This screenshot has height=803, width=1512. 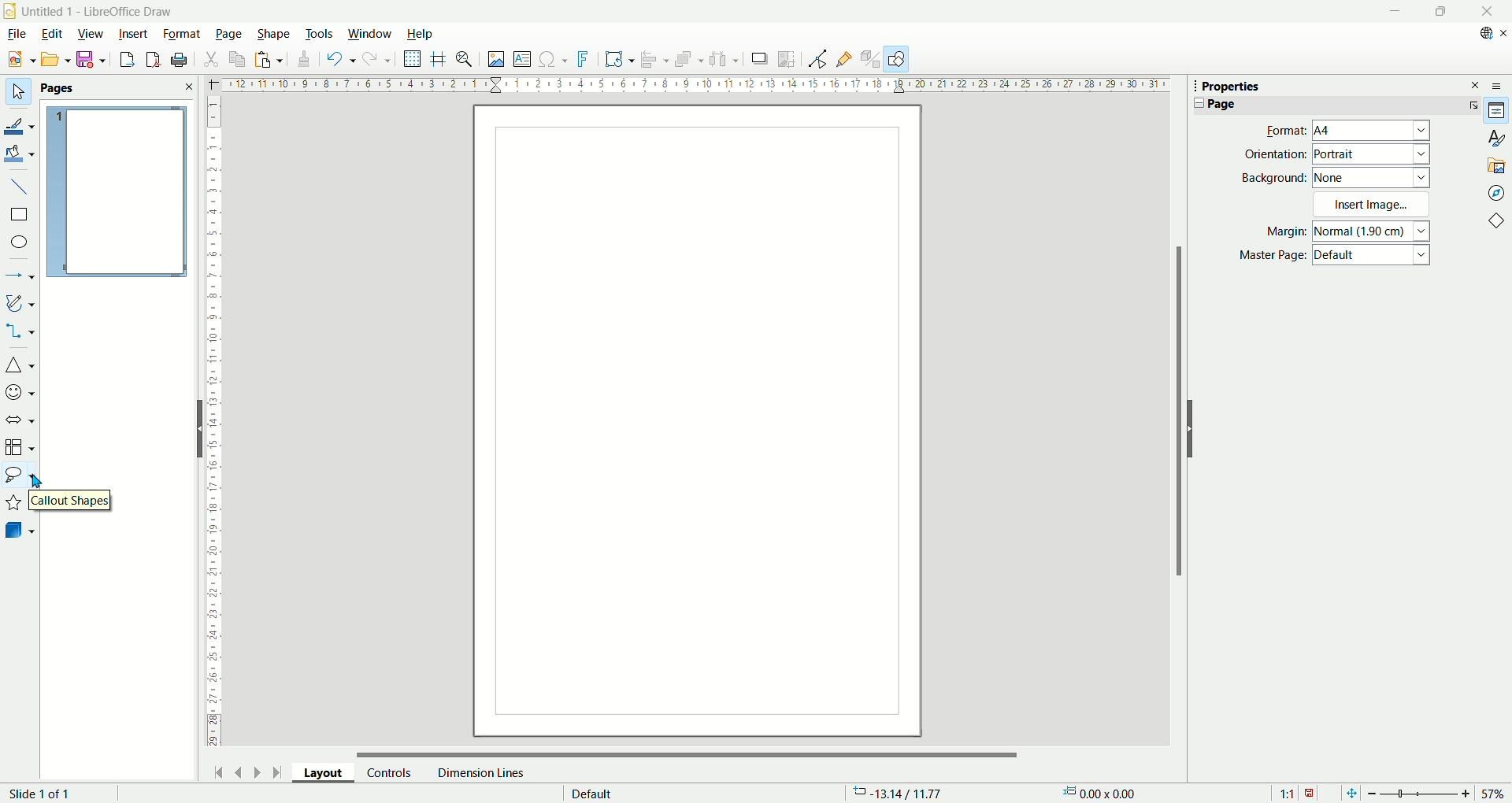 What do you see at coordinates (378, 62) in the screenshot?
I see `redo` at bounding box center [378, 62].